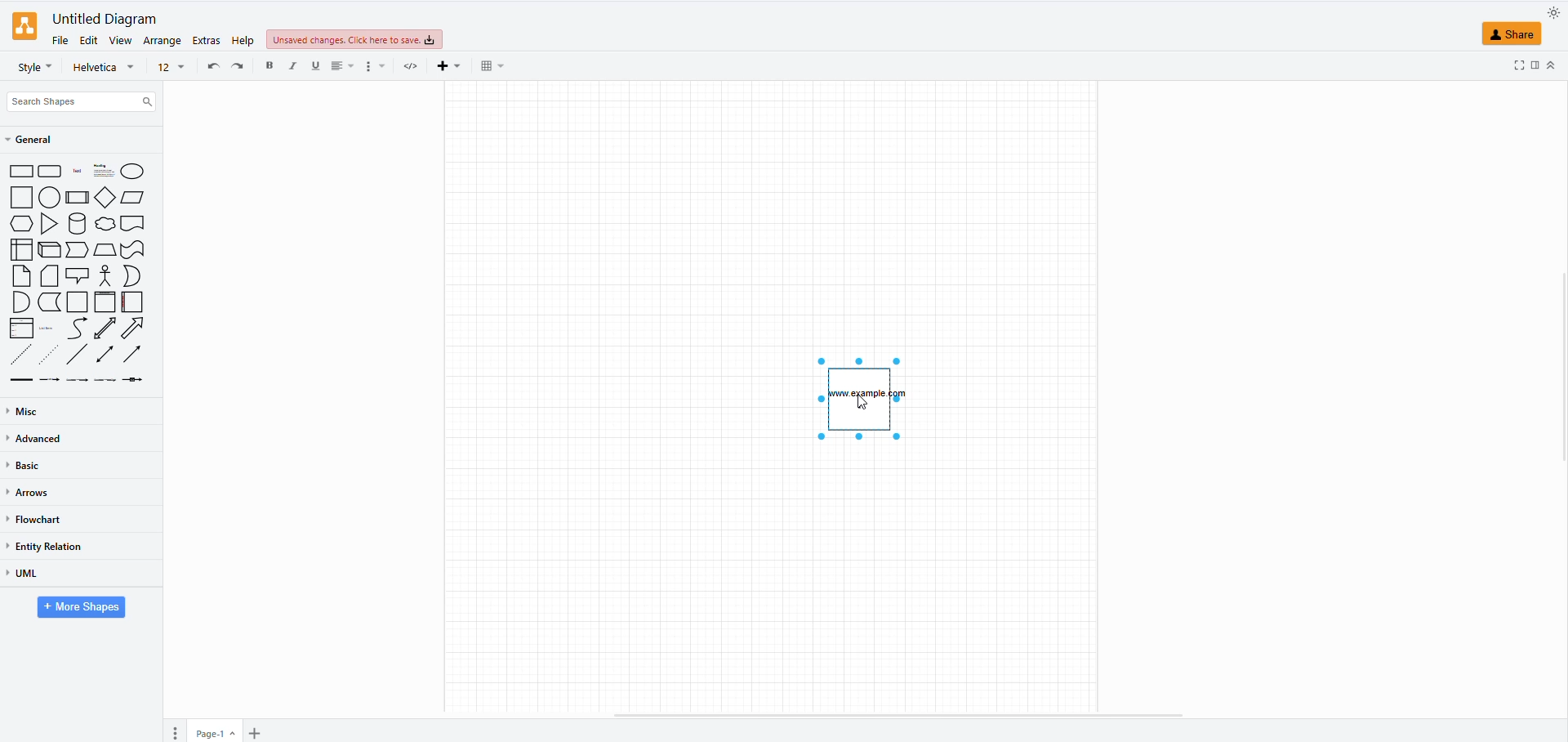 The image size is (1568, 742). What do you see at coordinates (51, 172) in the screenshot?
I see `rounded rectangle` at bounding box center [51, 172].